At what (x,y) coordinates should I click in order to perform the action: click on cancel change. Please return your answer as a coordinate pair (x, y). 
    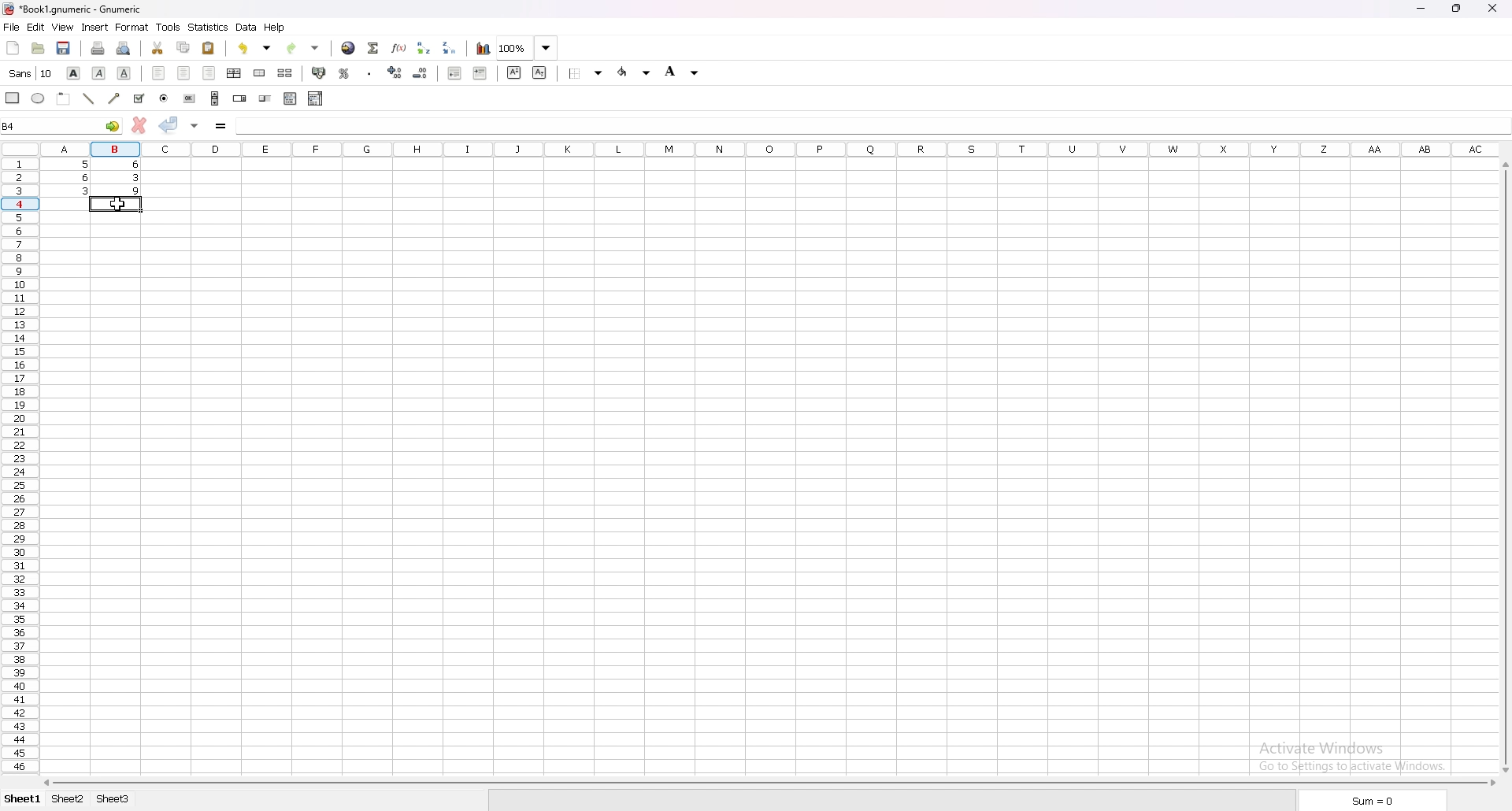
    Looking at the image, I should click on (138, 127).